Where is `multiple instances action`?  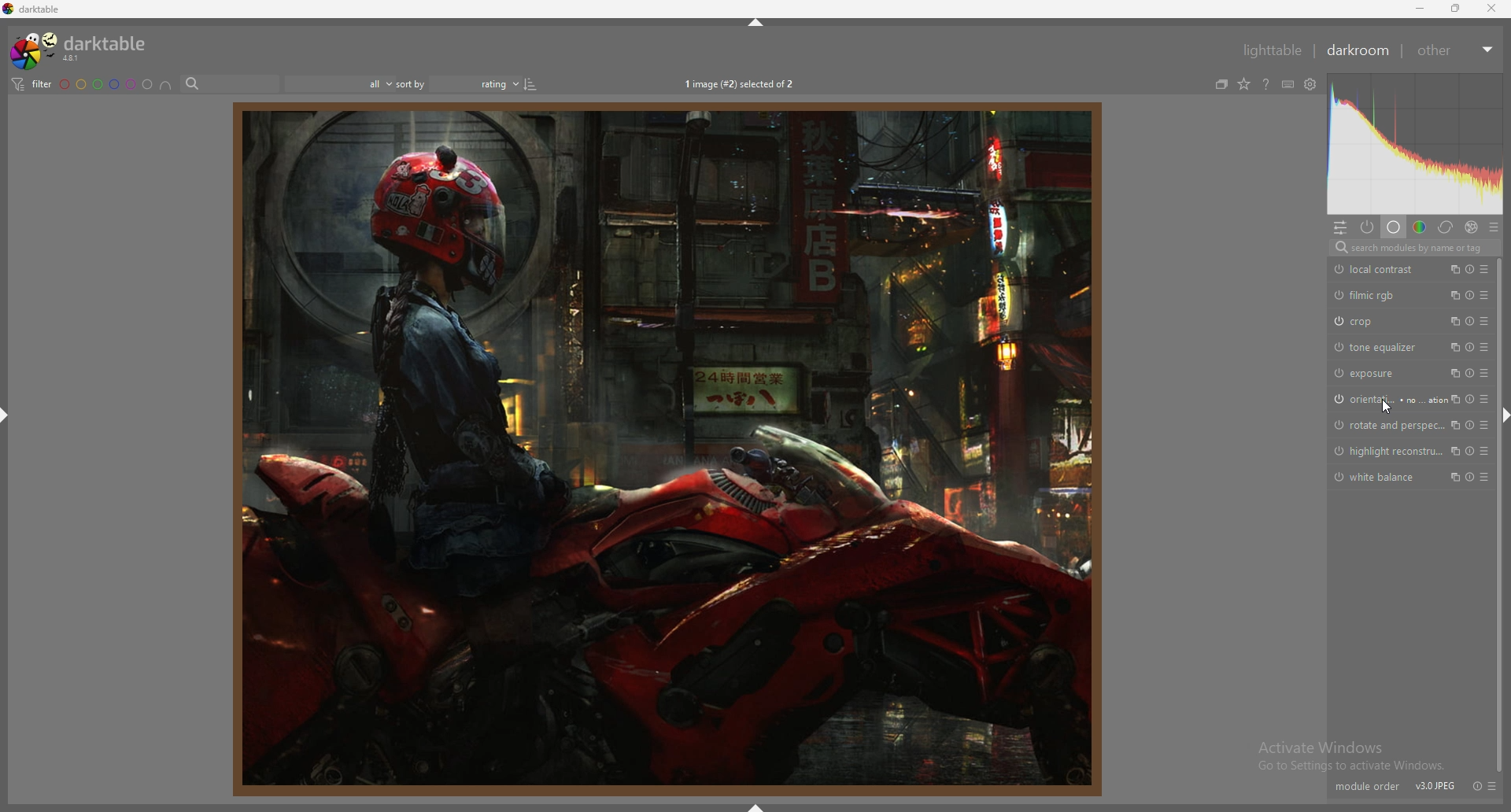
multiple instances action is located at coordinates (1451, 269).